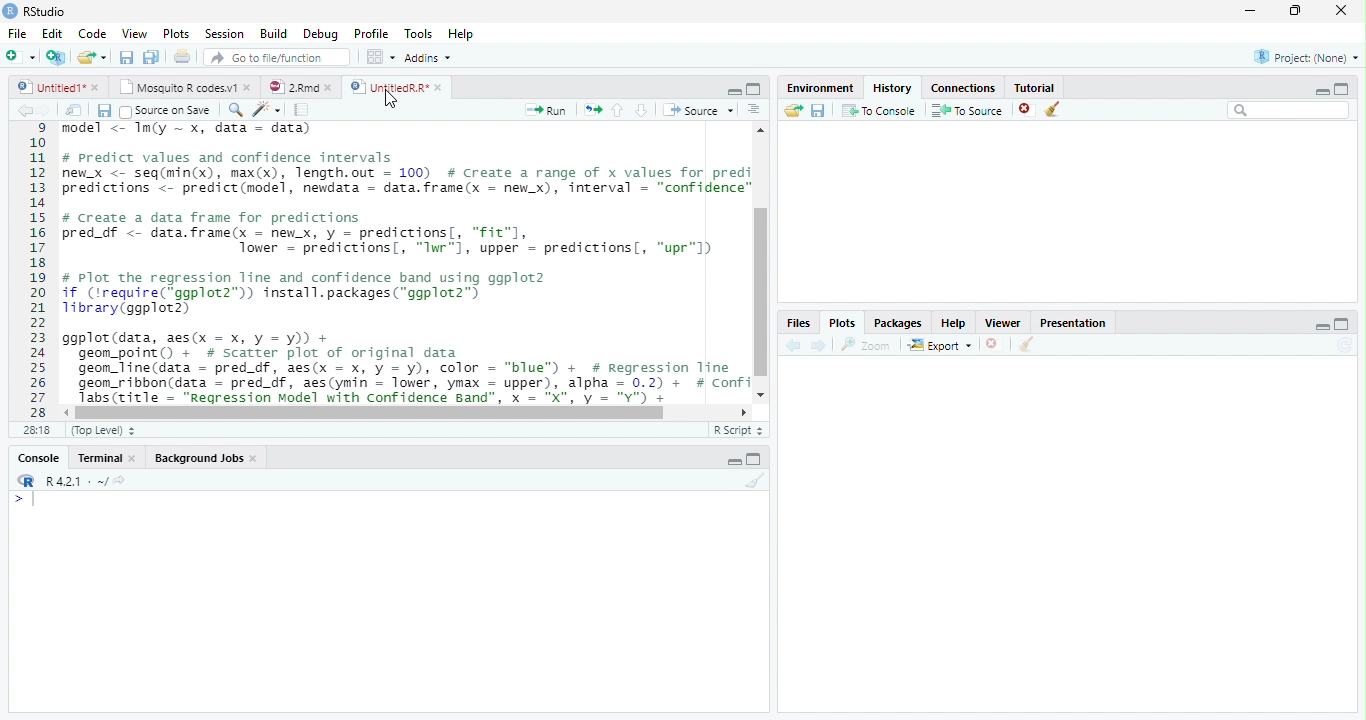 The image size is (1366, 720). Describe the element at coordinates (178, 32) in the screenshot. I see `Plots` at that location.